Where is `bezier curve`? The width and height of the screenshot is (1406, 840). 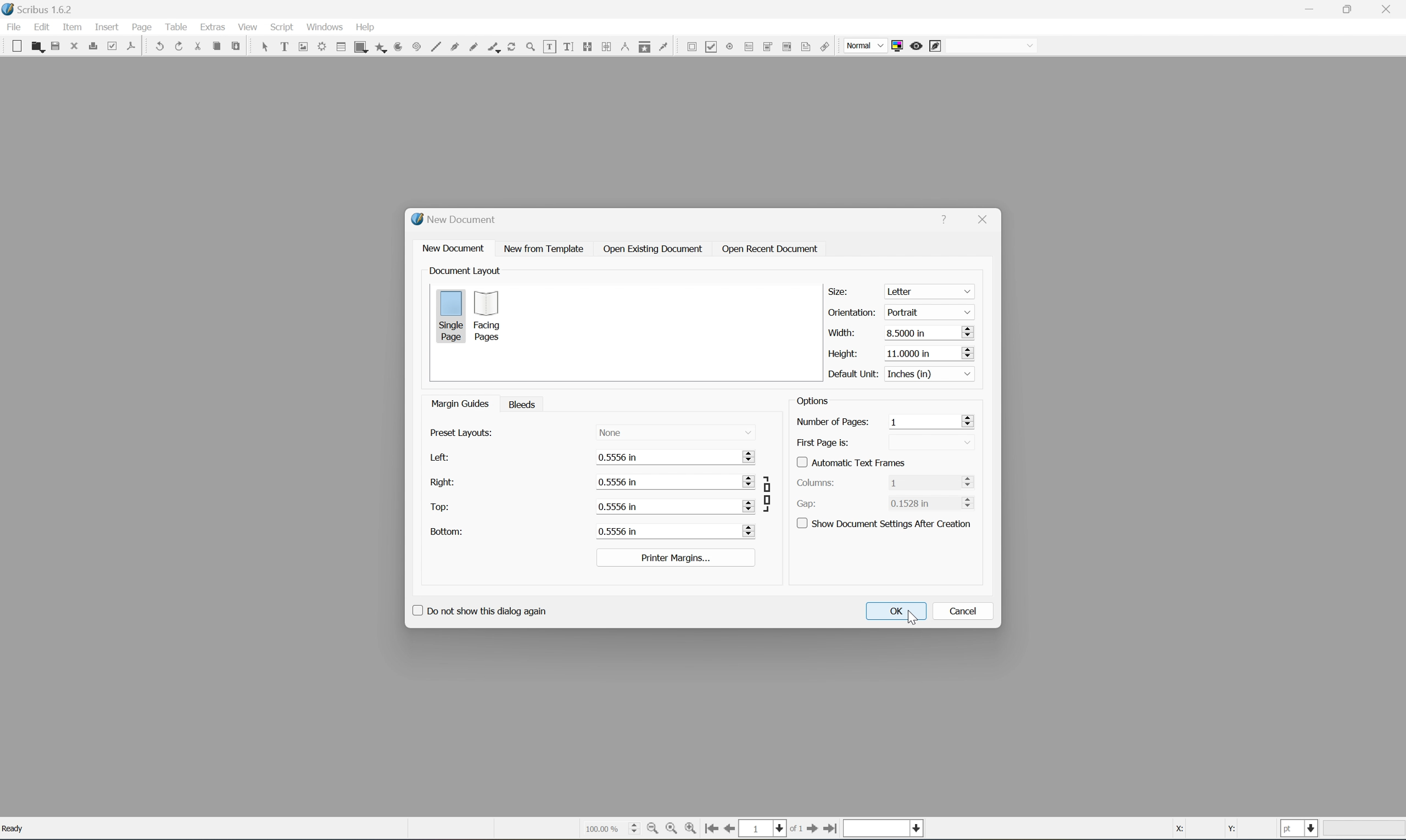 bezier curve is located at coordinates (455, 48).